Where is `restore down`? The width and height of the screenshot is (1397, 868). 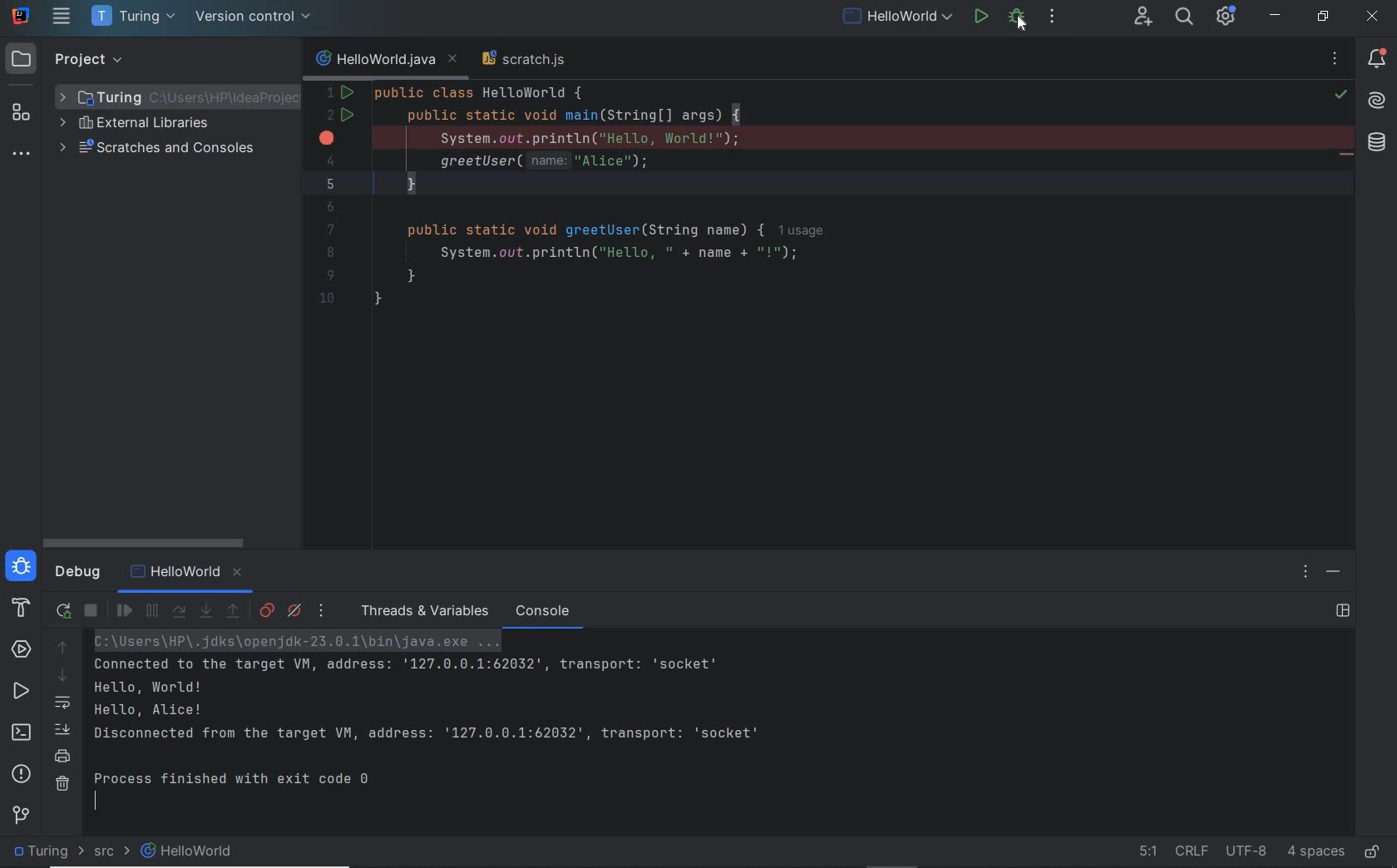 restore down is located at coordinates (1323, 18).